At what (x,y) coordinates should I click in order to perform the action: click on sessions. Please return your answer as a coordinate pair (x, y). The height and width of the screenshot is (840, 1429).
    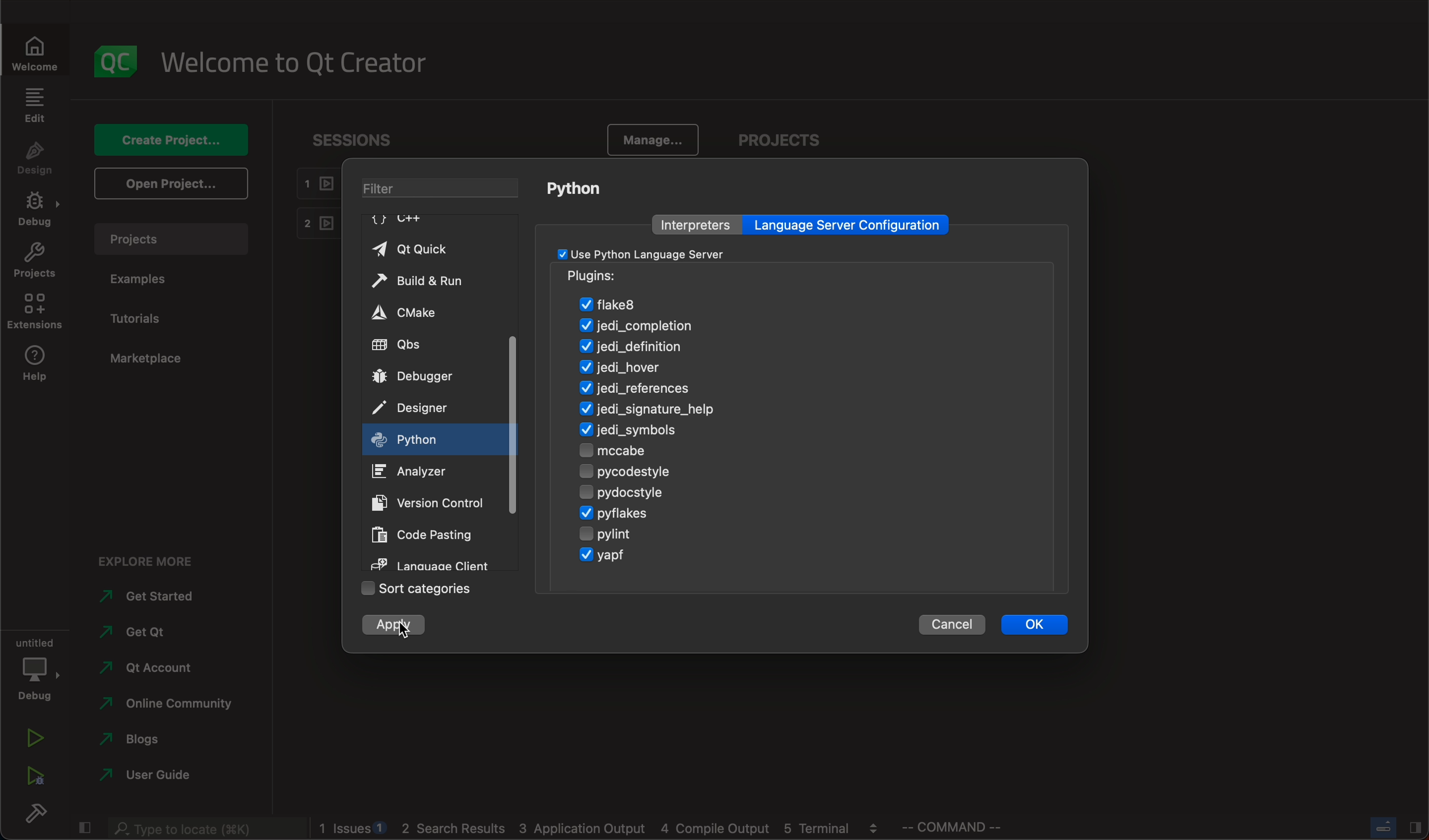
    Looking at the image, I should click on (363, 141).